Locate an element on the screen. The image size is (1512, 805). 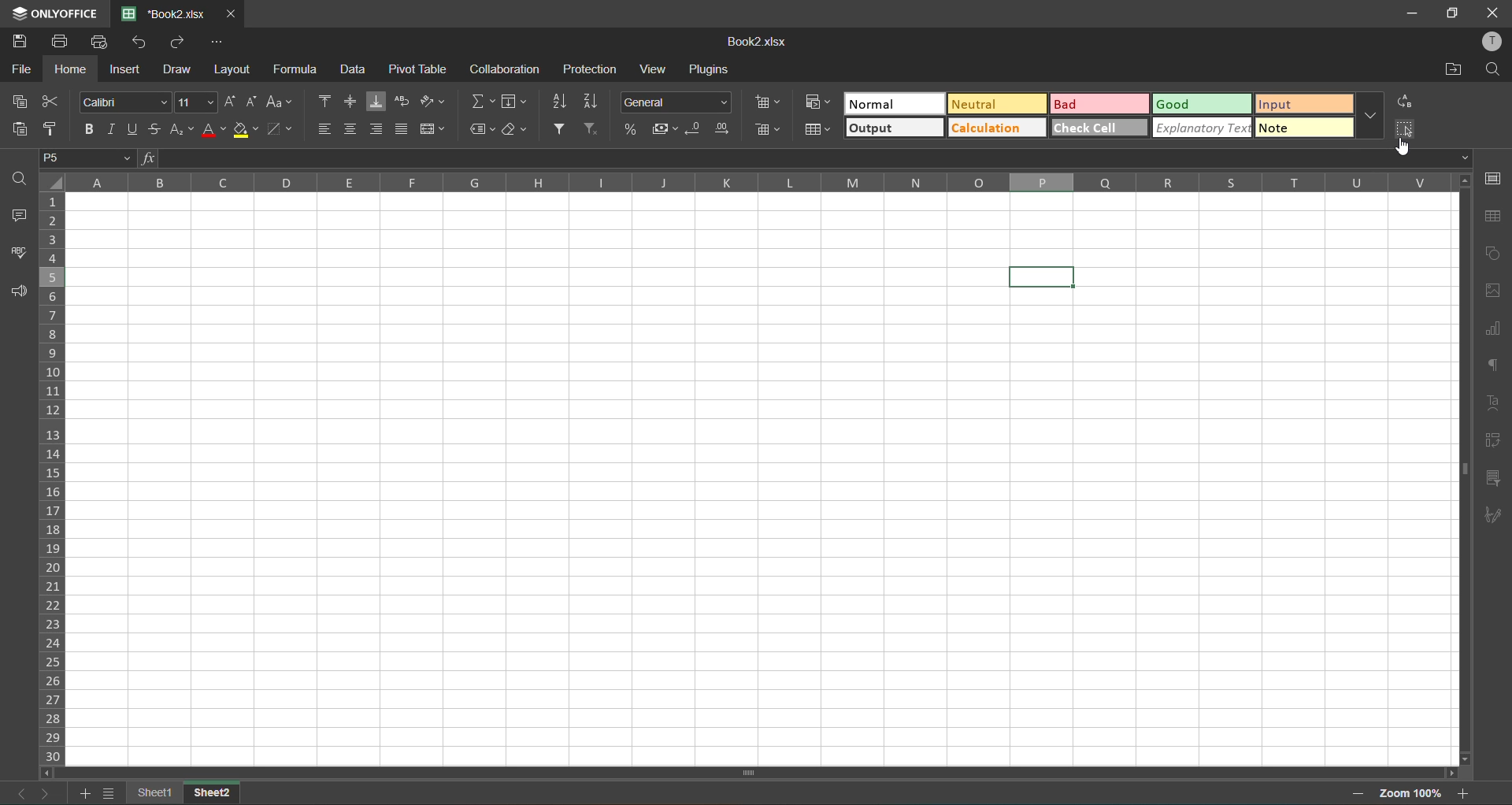
sub/superscript is located at coordinates (183, 130).